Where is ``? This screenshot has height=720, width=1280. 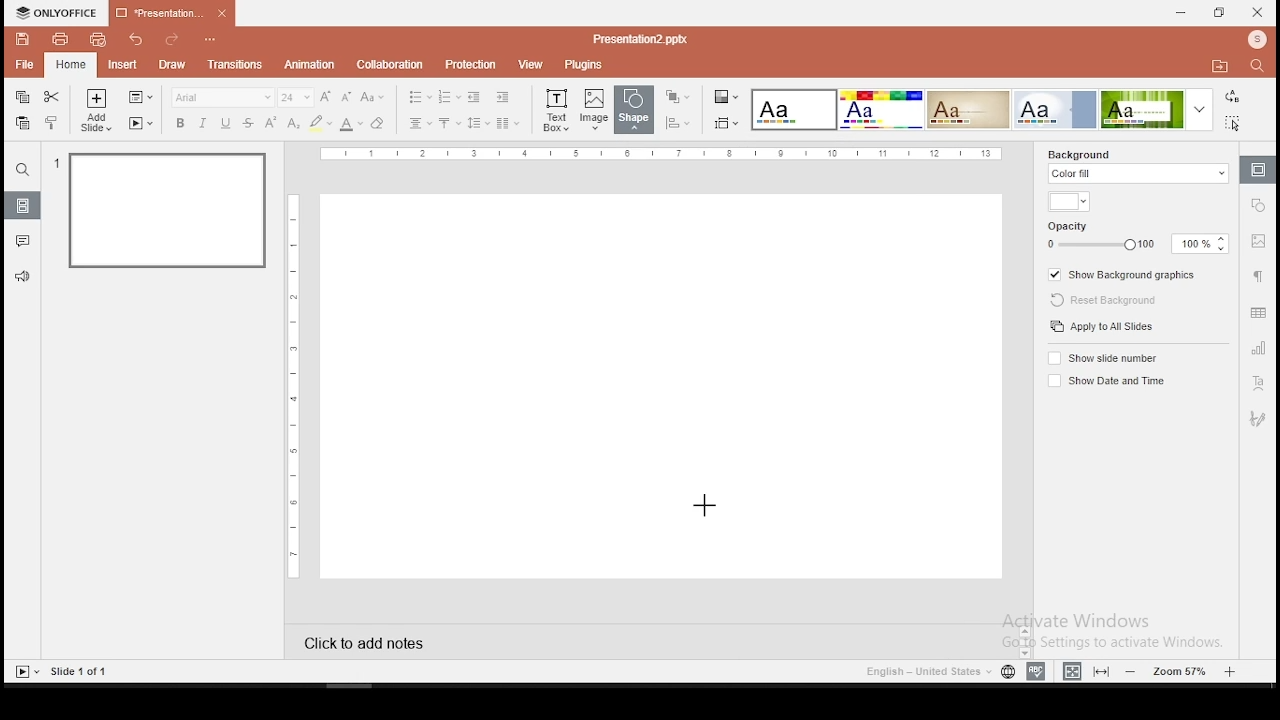
 is located at coordinates (1256, 419).